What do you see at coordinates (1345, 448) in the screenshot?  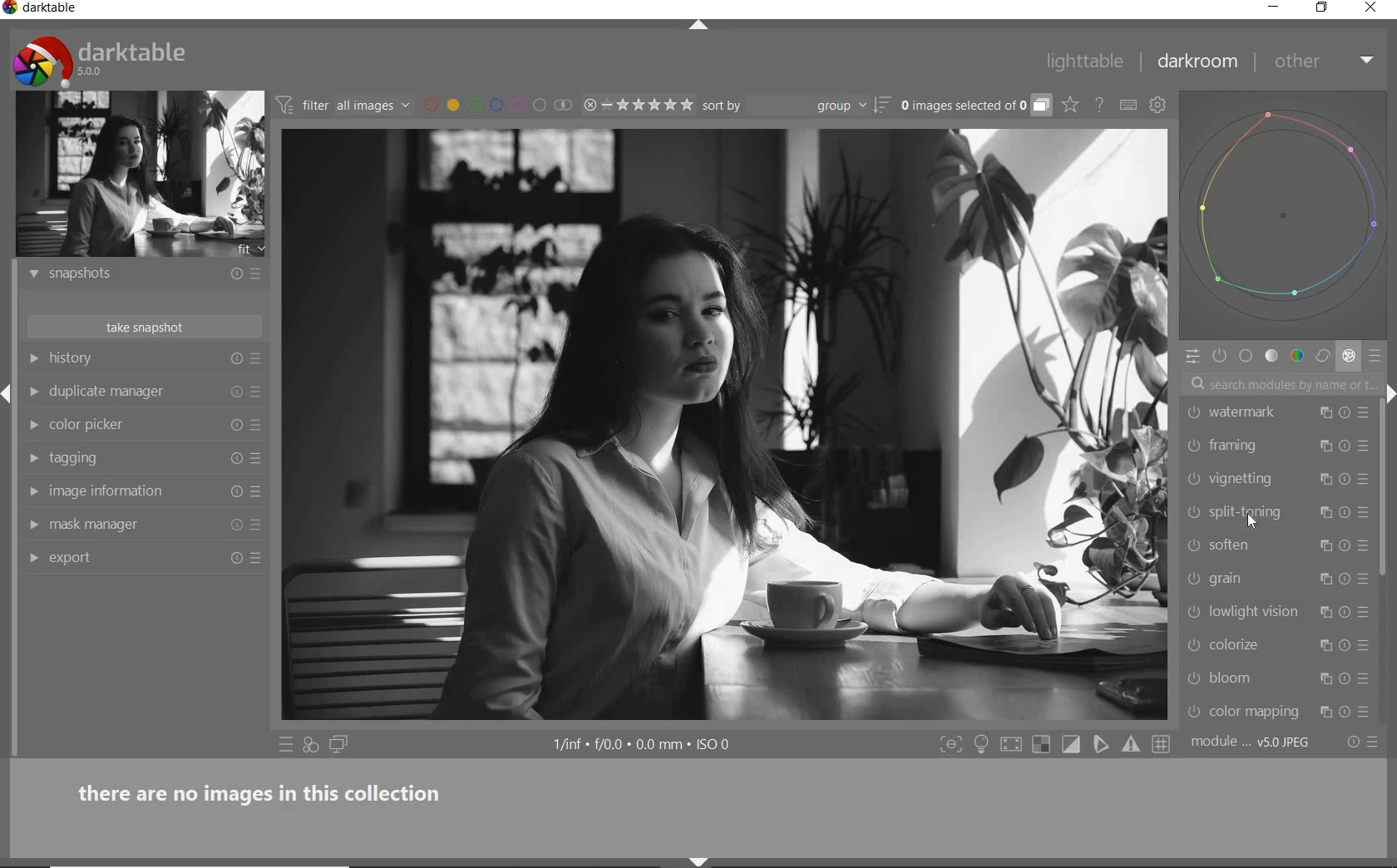 I see `` at bounding box center [1345, 448].